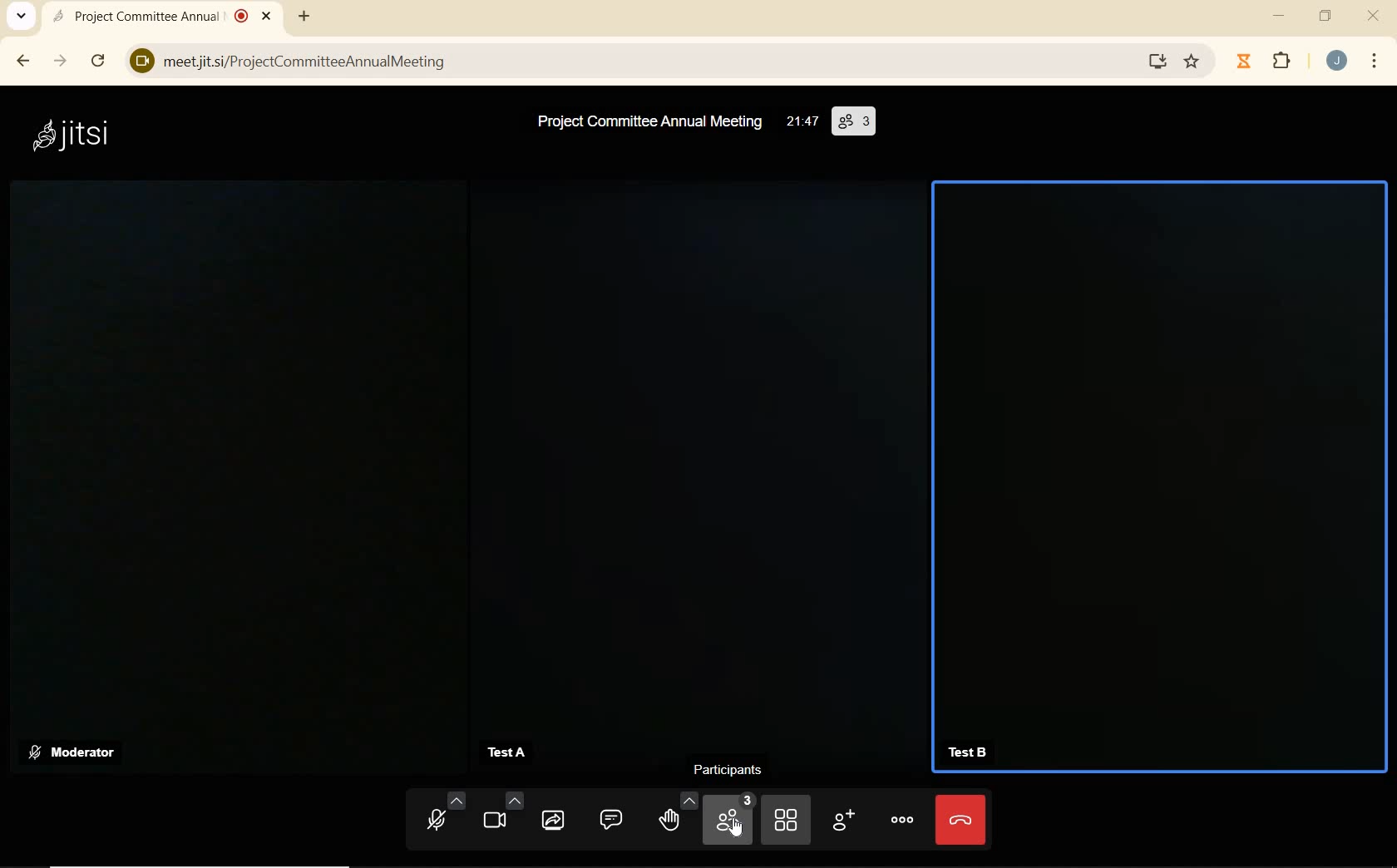 The height and width of the screenshot is (868, 1397). Describe the element at coordinates (1337, 62) in the screenshot. I see `ACCOUNT` at that location.